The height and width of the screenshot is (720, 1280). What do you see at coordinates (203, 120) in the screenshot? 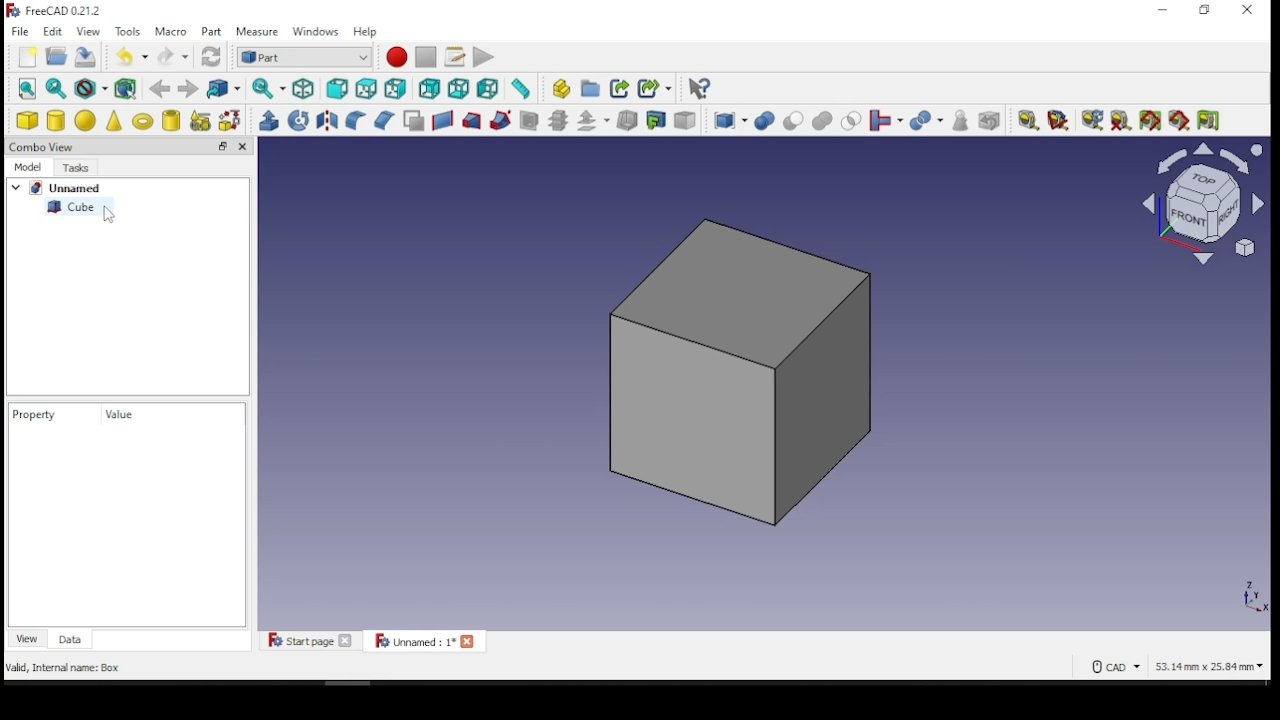
I see `create primitives` at bounding box center [203, 120].